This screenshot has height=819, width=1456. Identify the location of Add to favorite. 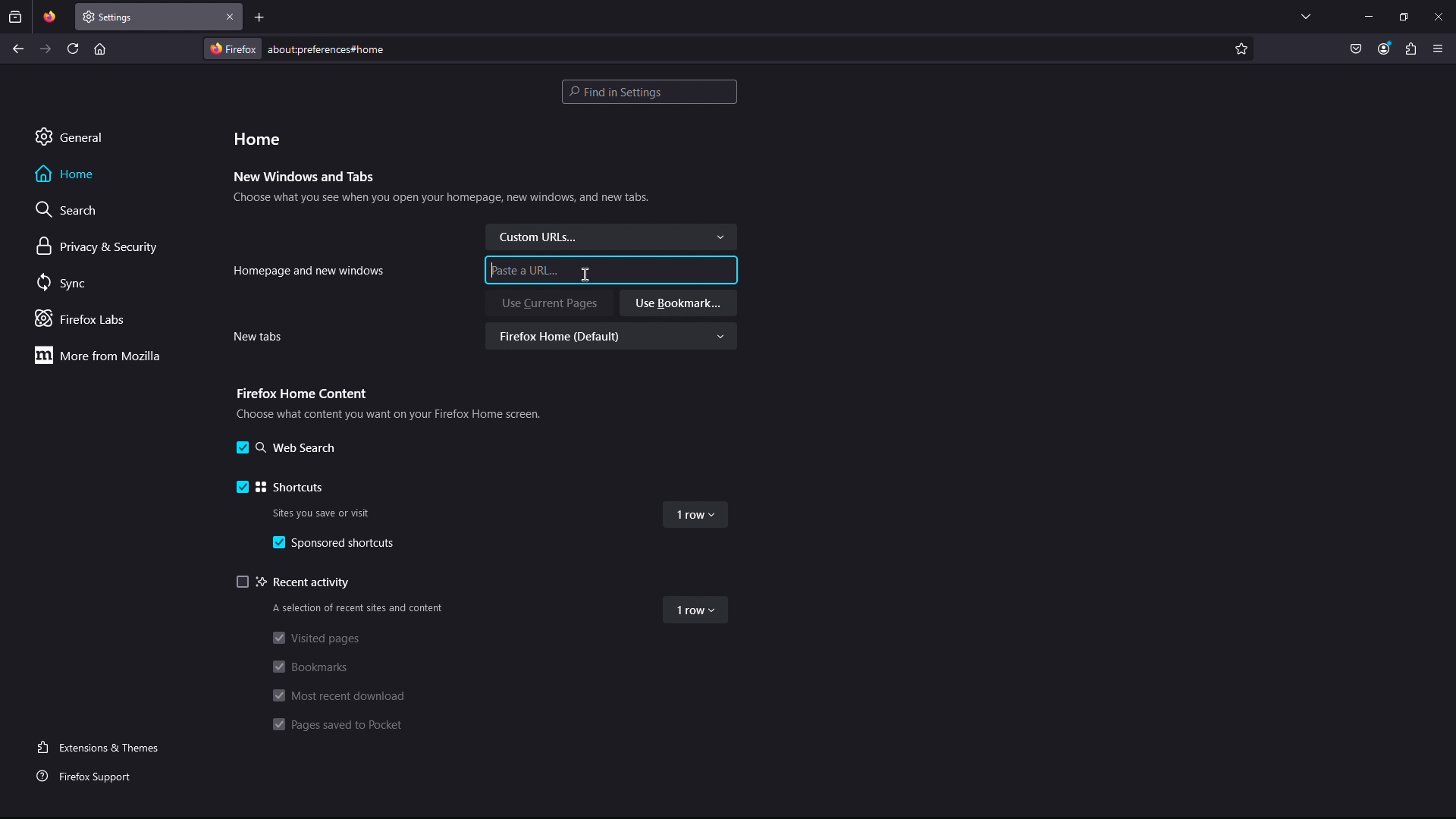
(1241, 49).